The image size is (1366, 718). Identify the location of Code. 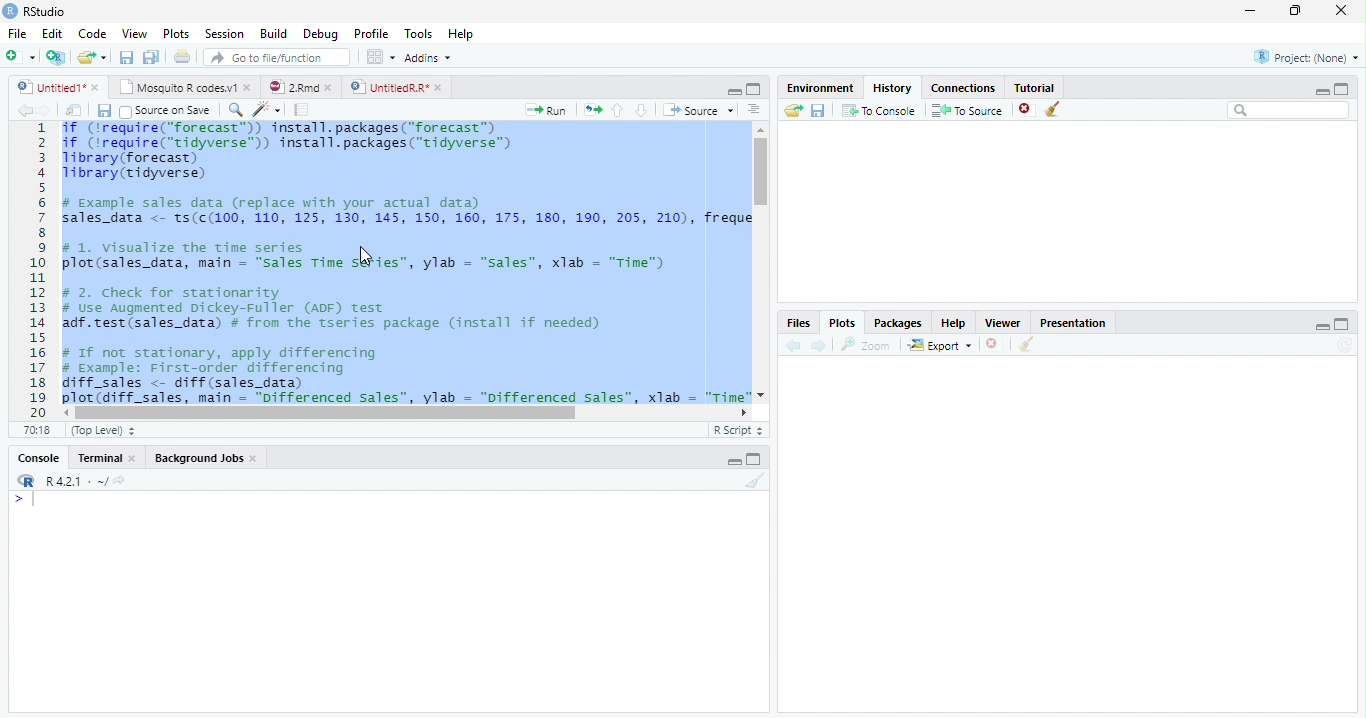
(94, 33).